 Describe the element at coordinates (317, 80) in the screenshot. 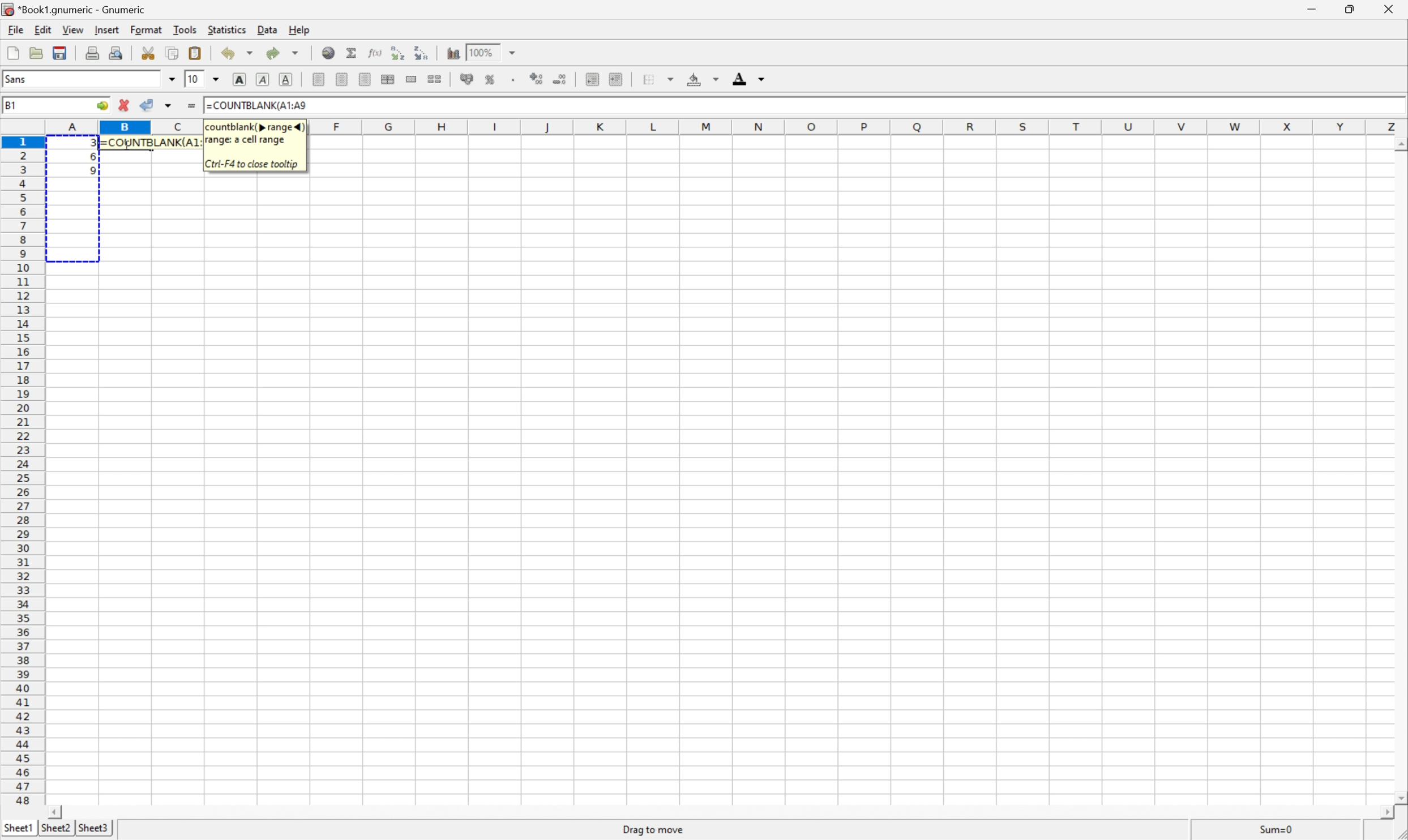

I see `Align Left` at that location.